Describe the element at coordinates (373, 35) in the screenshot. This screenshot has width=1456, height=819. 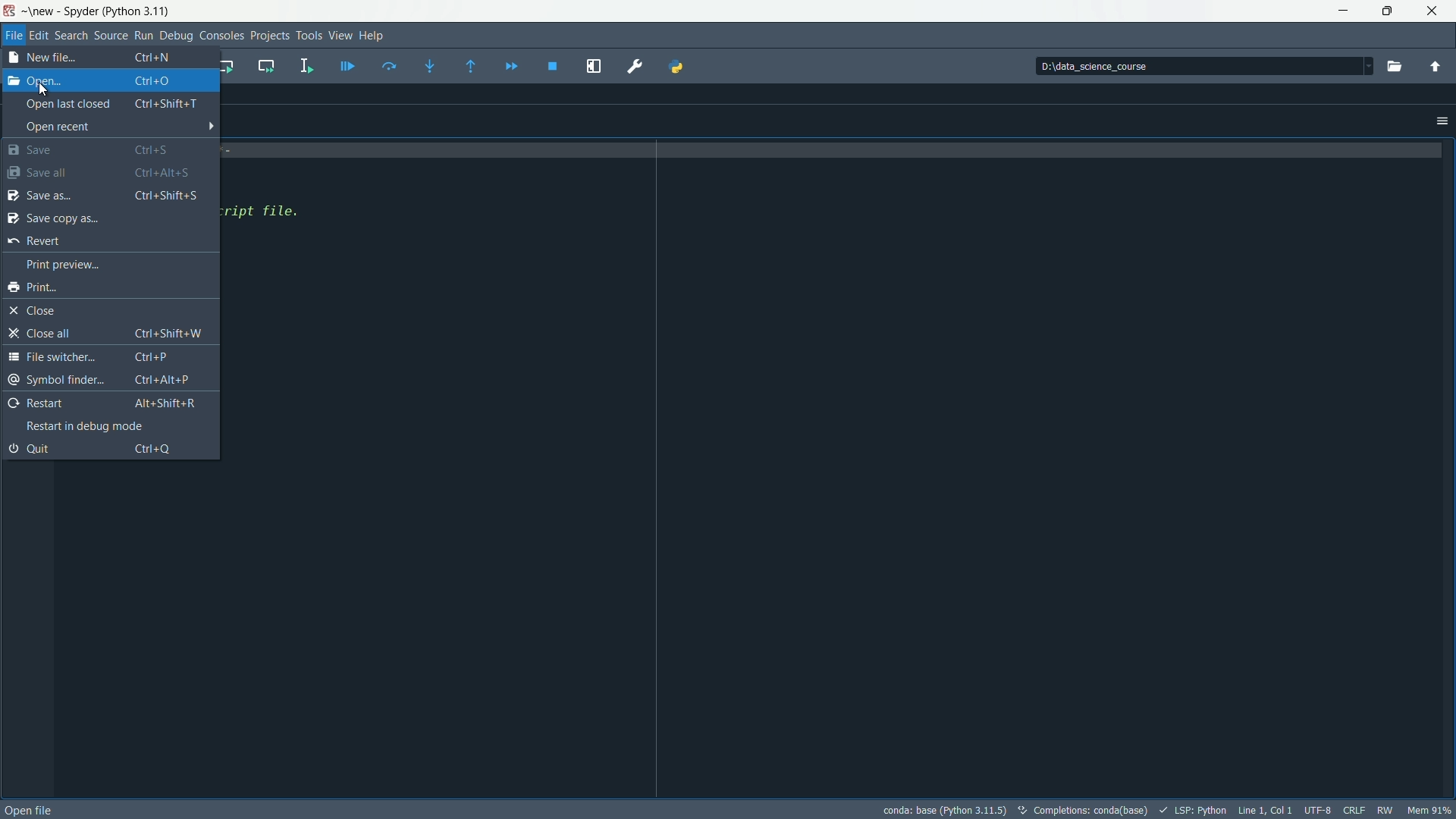
I see `help menu` at that location.